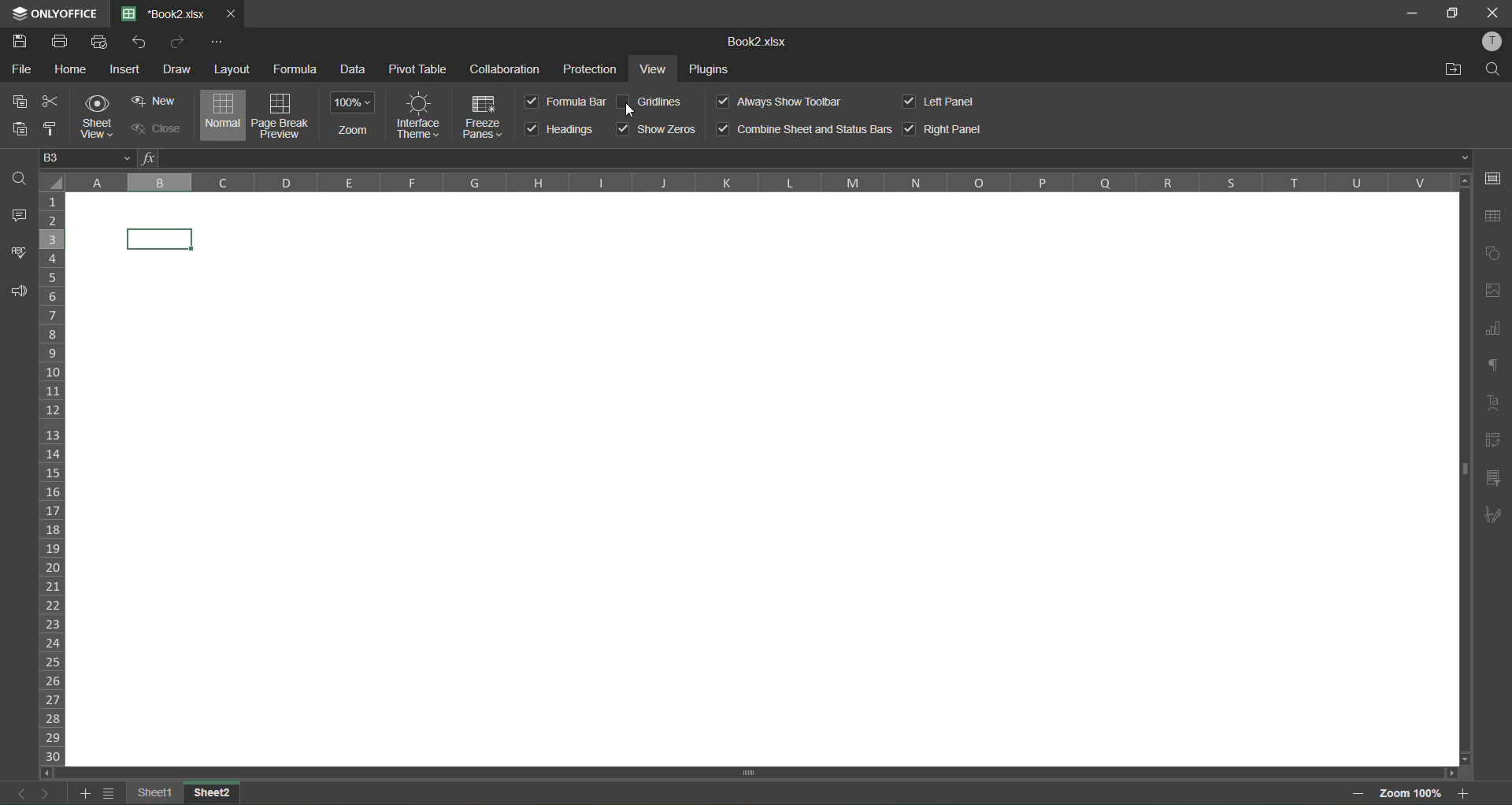  Describe the element at coordinates (1455, 14) in the screenshot. I see `maximize` at that location.